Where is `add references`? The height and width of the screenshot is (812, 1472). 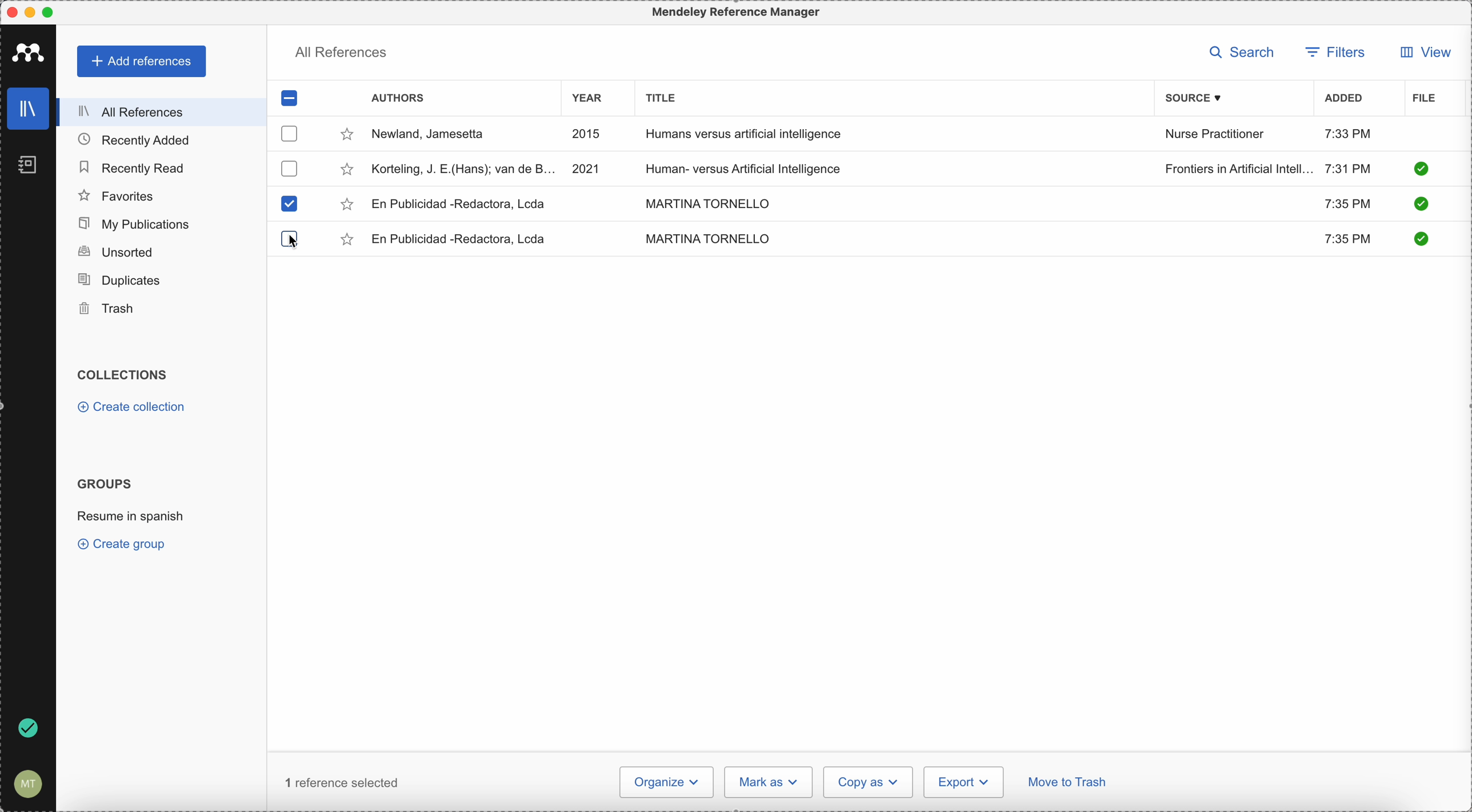 add references is located at coordinates (143, 62).